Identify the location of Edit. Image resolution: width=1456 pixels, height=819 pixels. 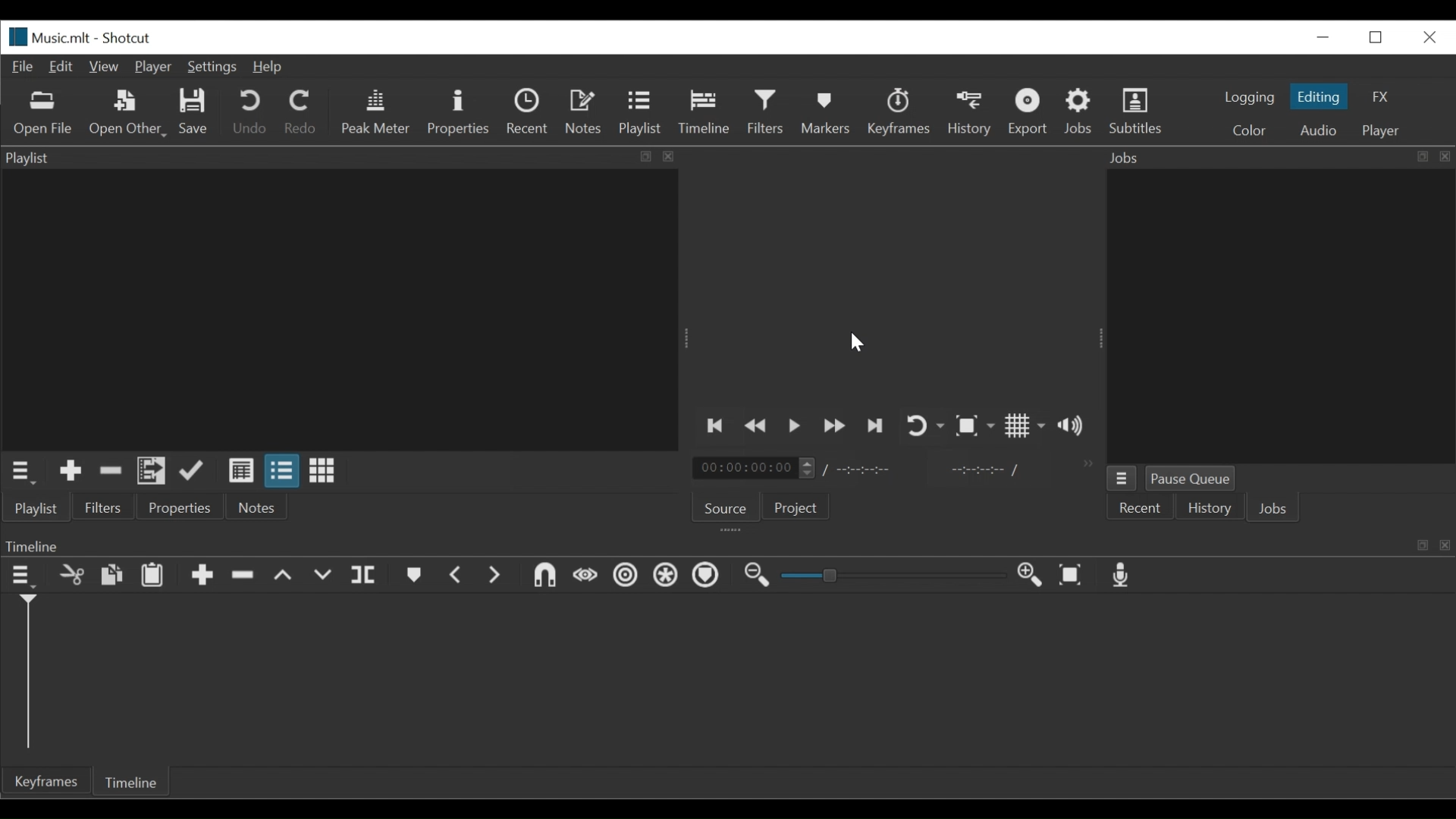
(62, 69).